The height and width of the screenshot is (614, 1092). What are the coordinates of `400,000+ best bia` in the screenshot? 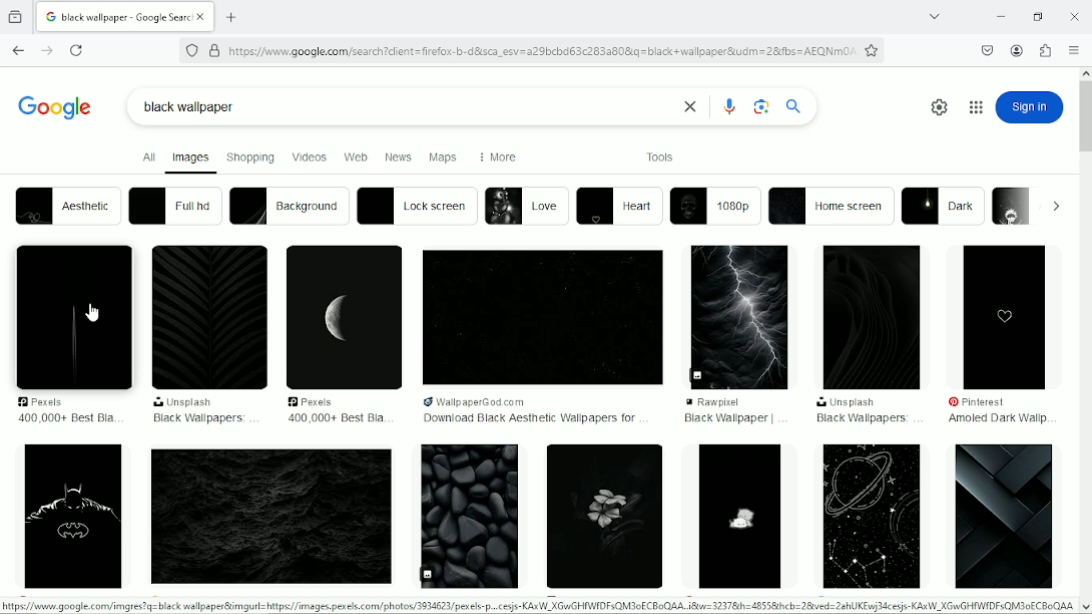 It's located at (66, 418).